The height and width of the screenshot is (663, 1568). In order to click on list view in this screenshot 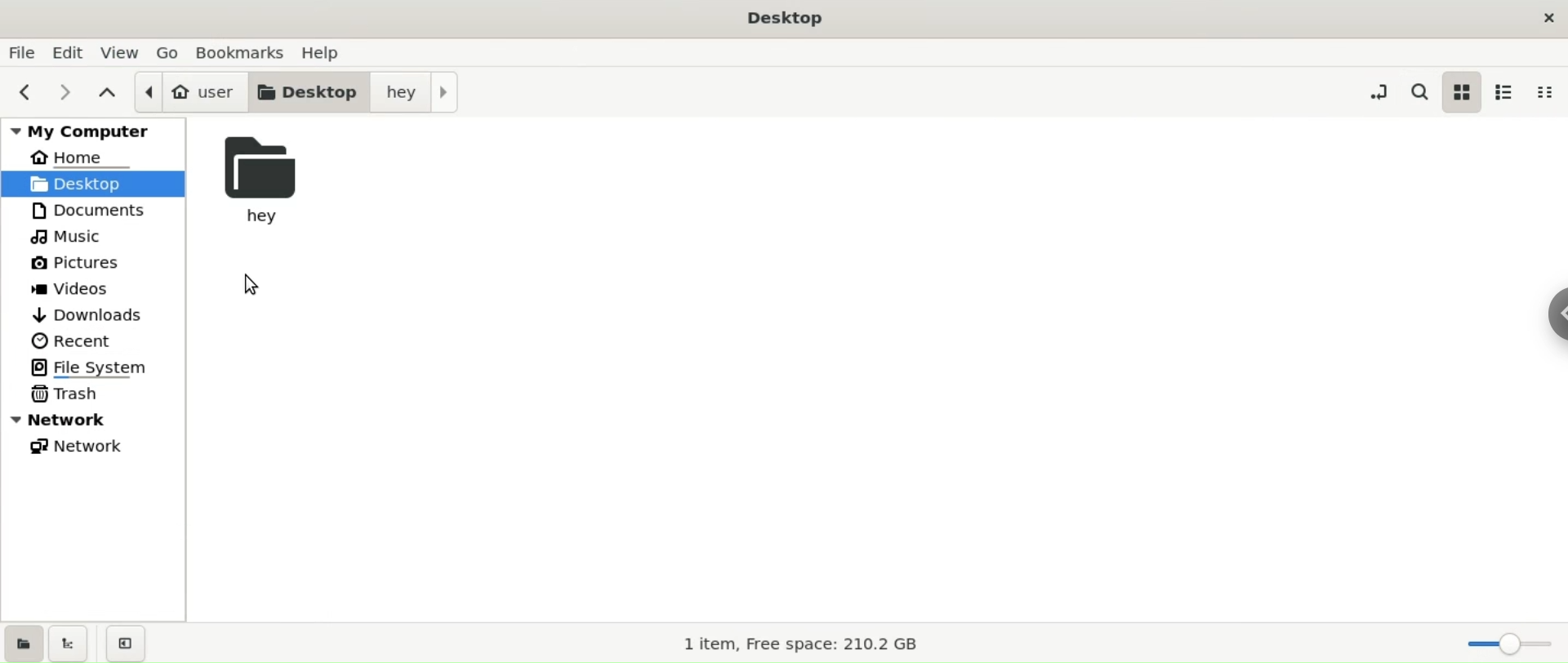, I will do `click(1506, 91)`.